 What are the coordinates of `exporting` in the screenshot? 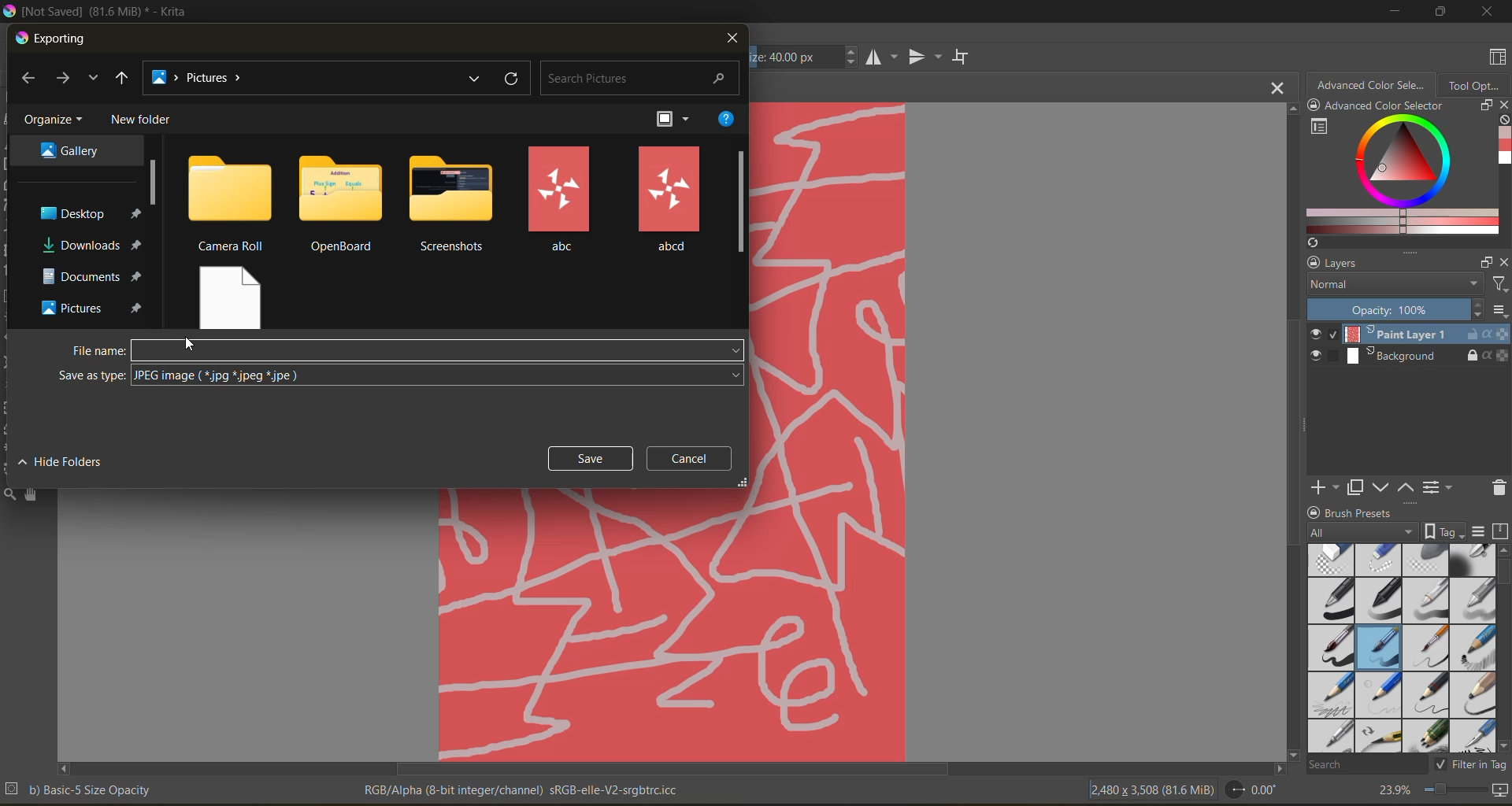 It's located at (53, 39).